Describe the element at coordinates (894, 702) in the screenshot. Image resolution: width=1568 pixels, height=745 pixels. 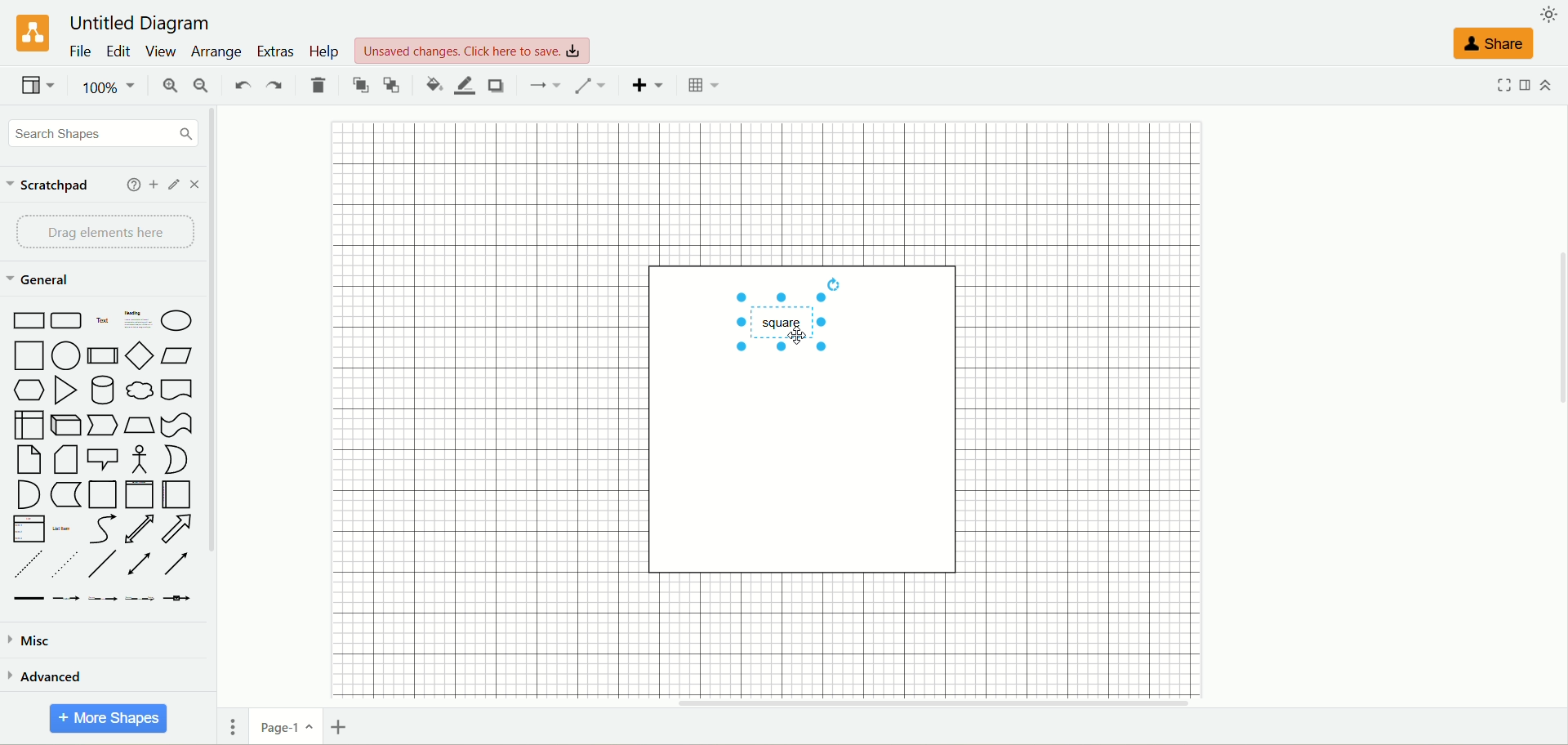
I see `horizontal scroll bar` at that location.